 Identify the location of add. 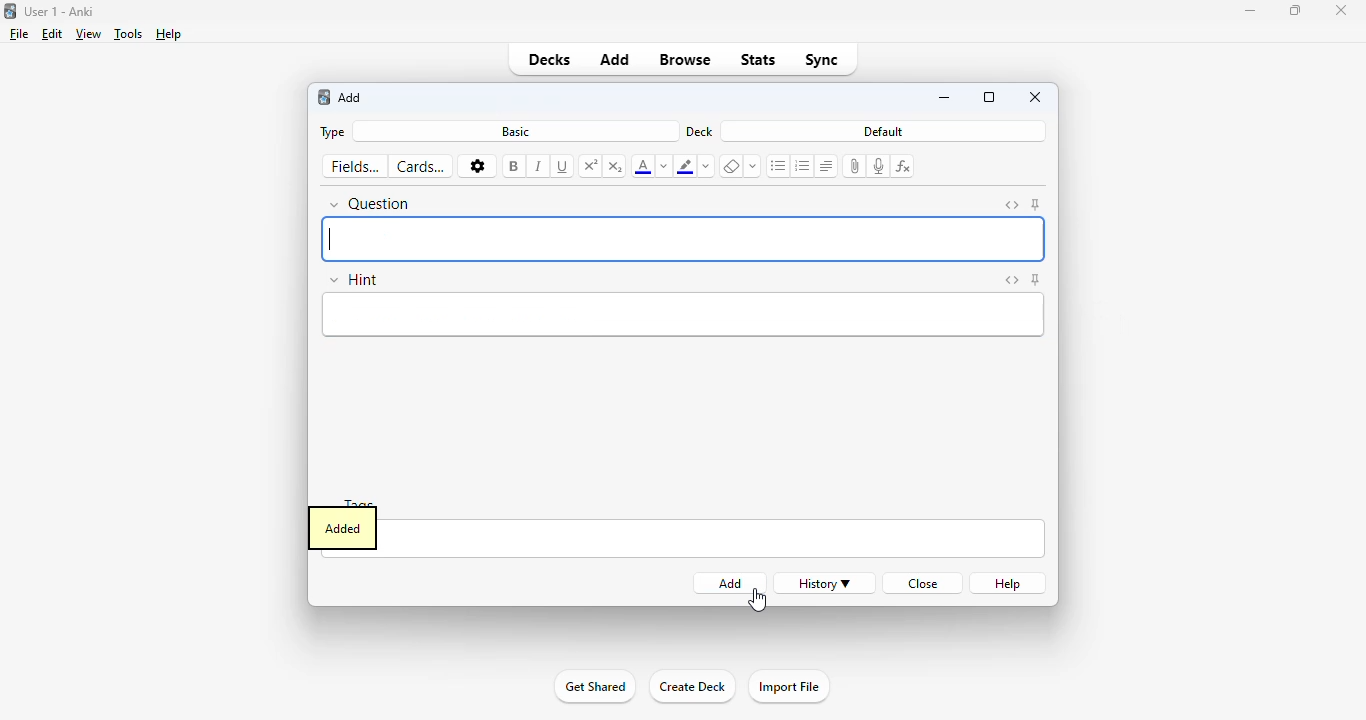
(615, 59).